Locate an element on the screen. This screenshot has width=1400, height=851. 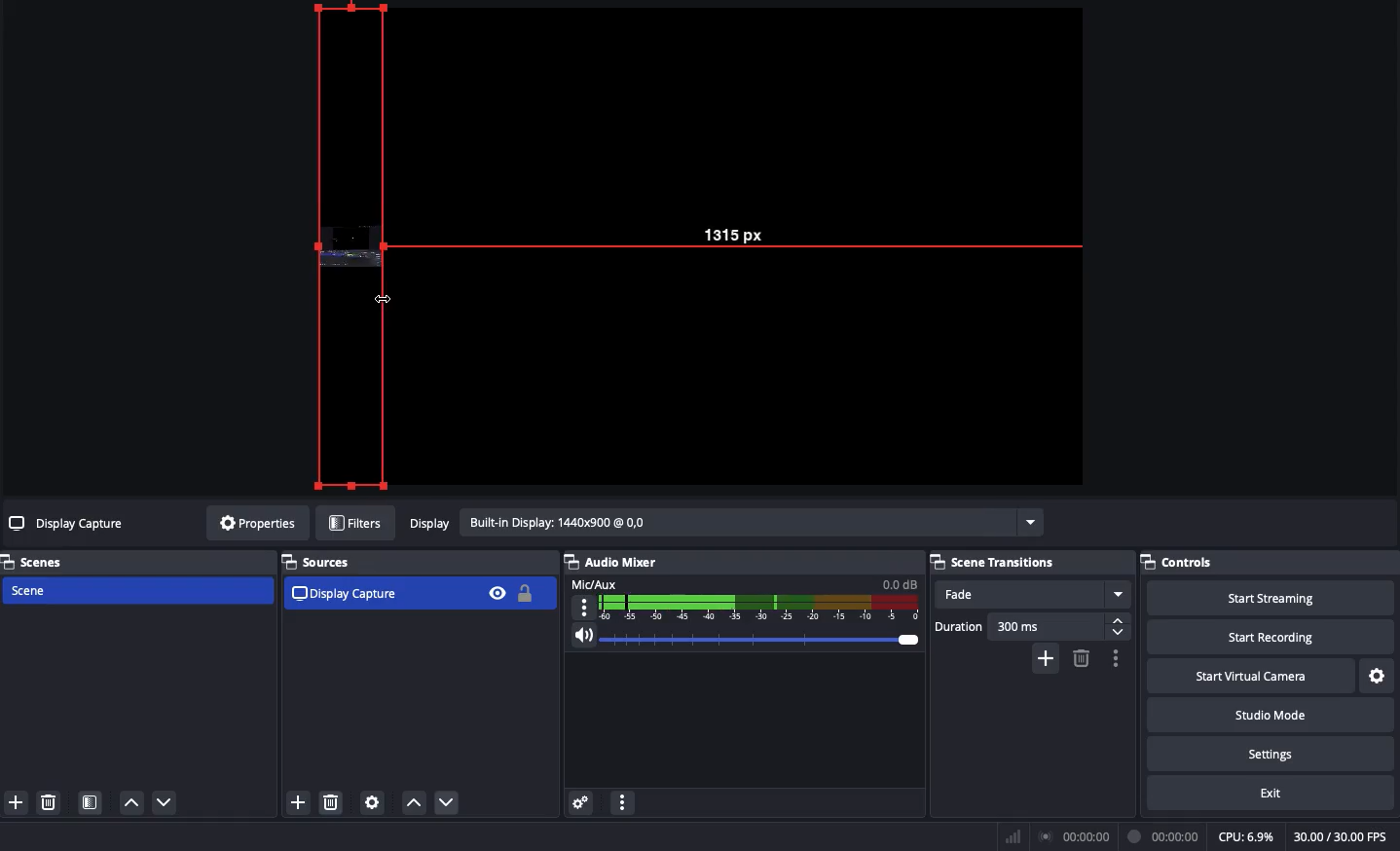
Advanced audio properties is located at coordinates (580, 804).